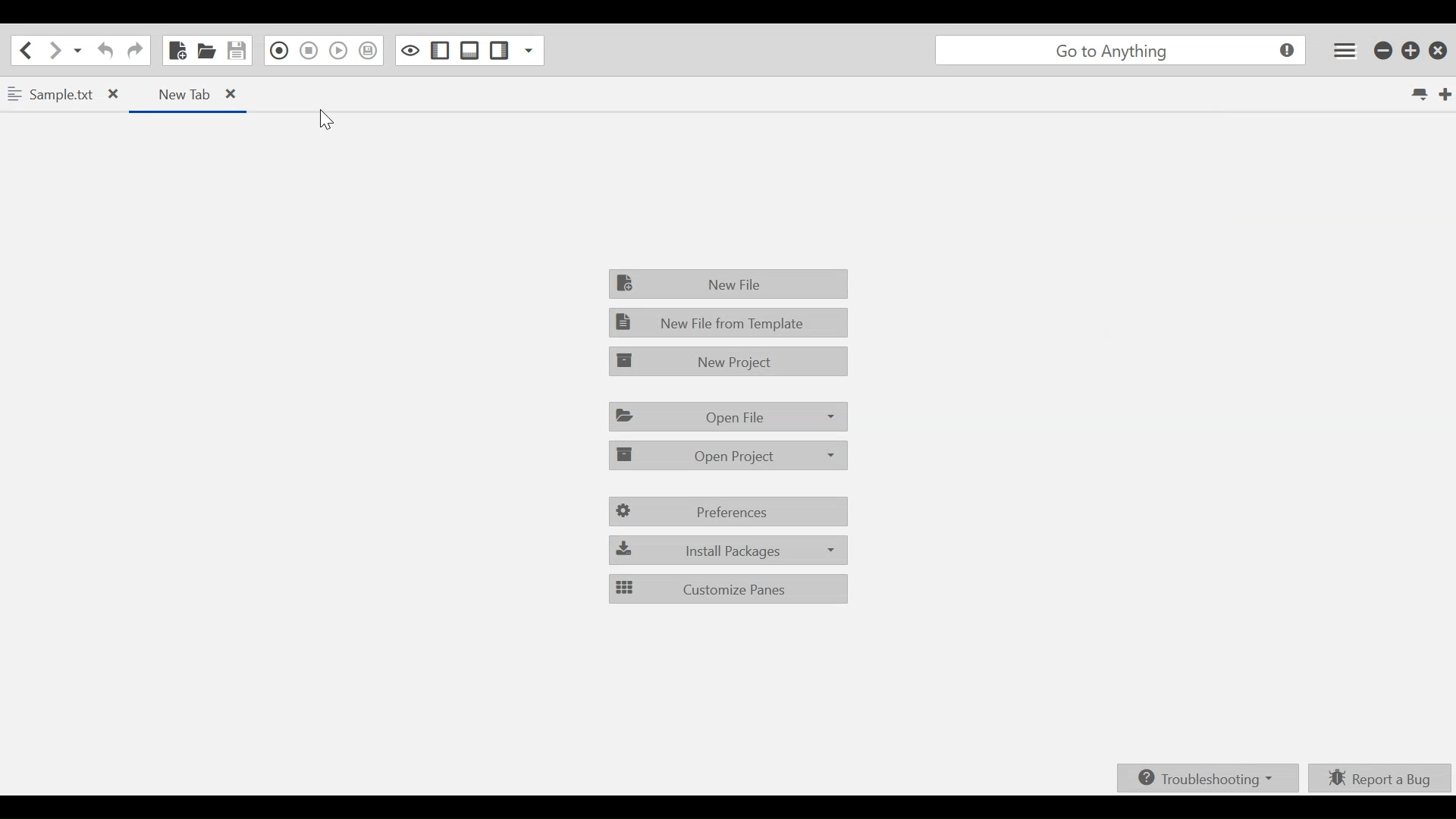  What do you see at coordinates (1439, 51) in the screenshot?
I see `Close` at bounding box center [1439, 51].